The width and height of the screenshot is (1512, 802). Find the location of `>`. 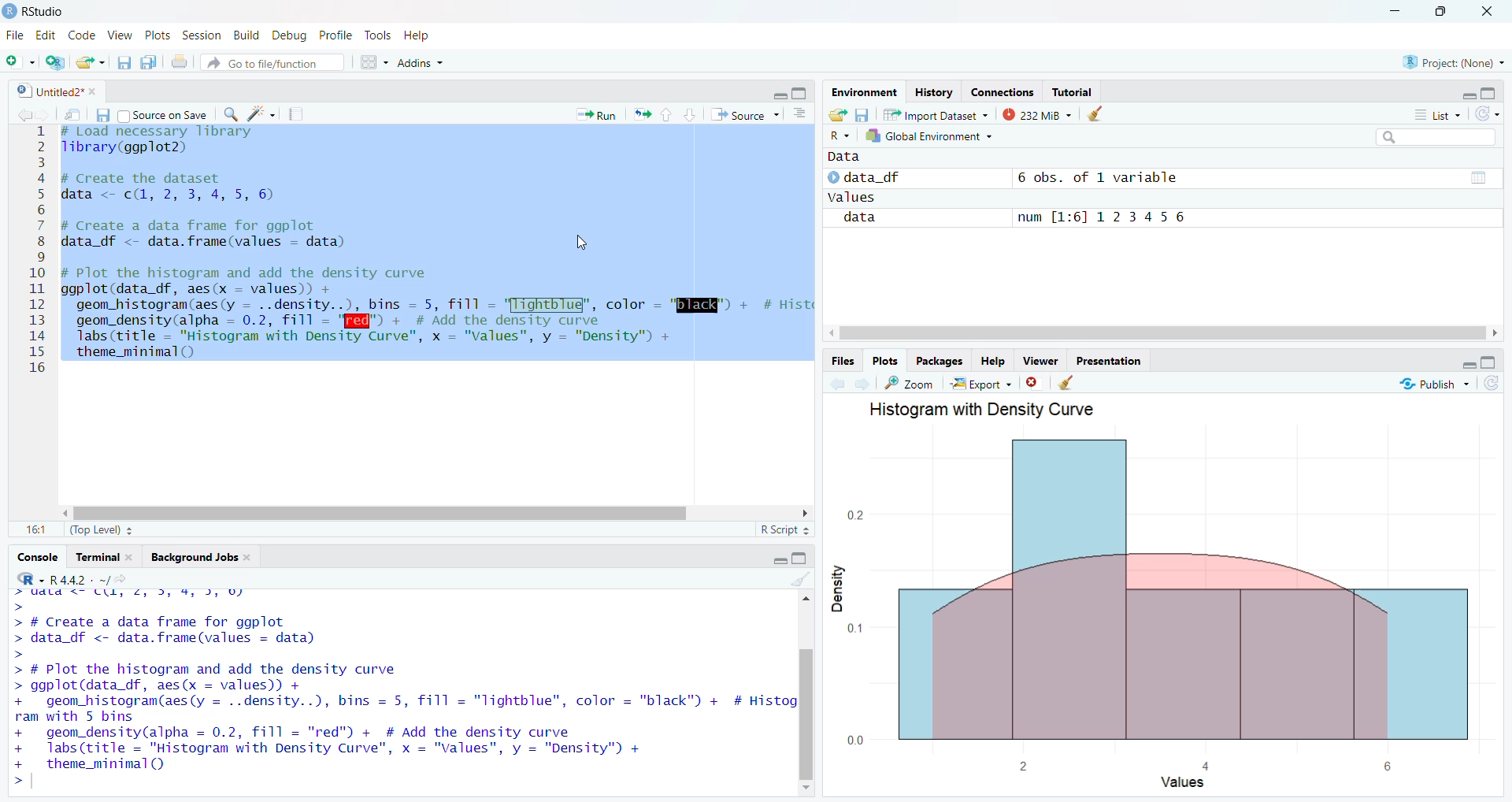

> is located at coordinates (17, 641).